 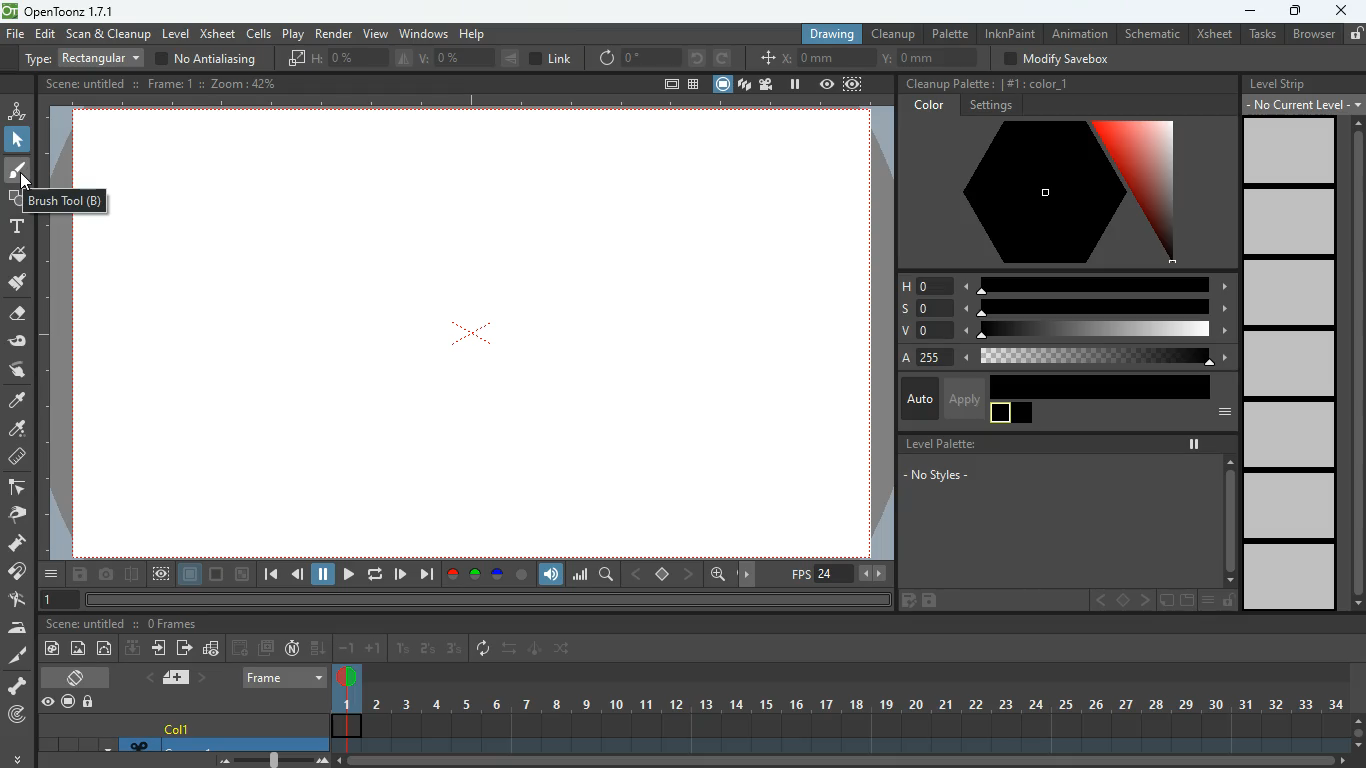 What do you see at coordinates (1010, 33) in the screenshot?
I see `inknpaint` at bounding box center [1010, 33].